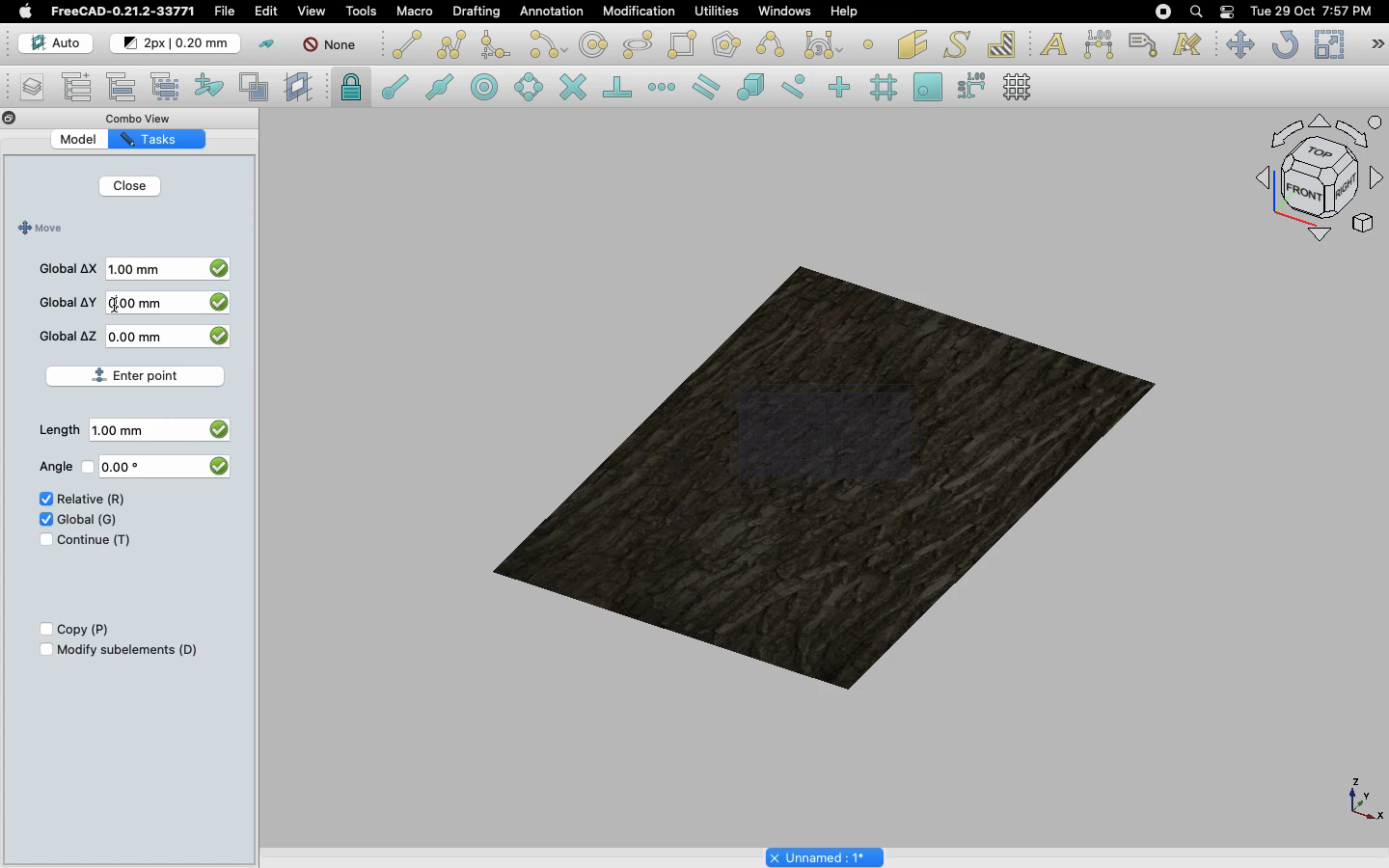 Image resolution: width=1389 pixels, height=868 pixels. Describe the element at coordinates (395, 90) in the screenshot. I see `Snap endpoint` at that location.